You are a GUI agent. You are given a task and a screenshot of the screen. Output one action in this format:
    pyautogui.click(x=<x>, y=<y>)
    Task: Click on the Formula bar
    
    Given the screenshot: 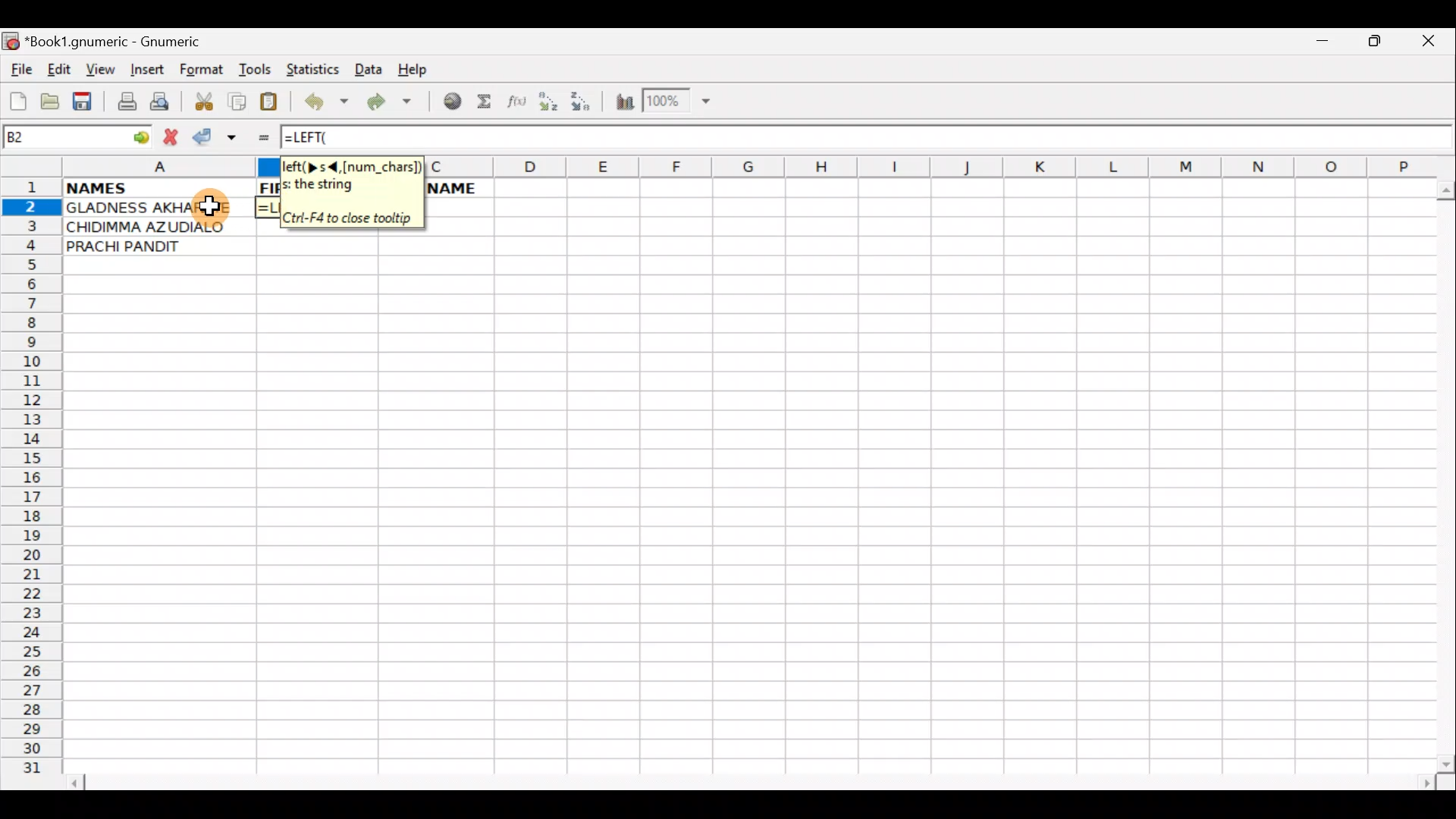 What is the action you would take?
    pyautogui.click(x=921, y=137)
    